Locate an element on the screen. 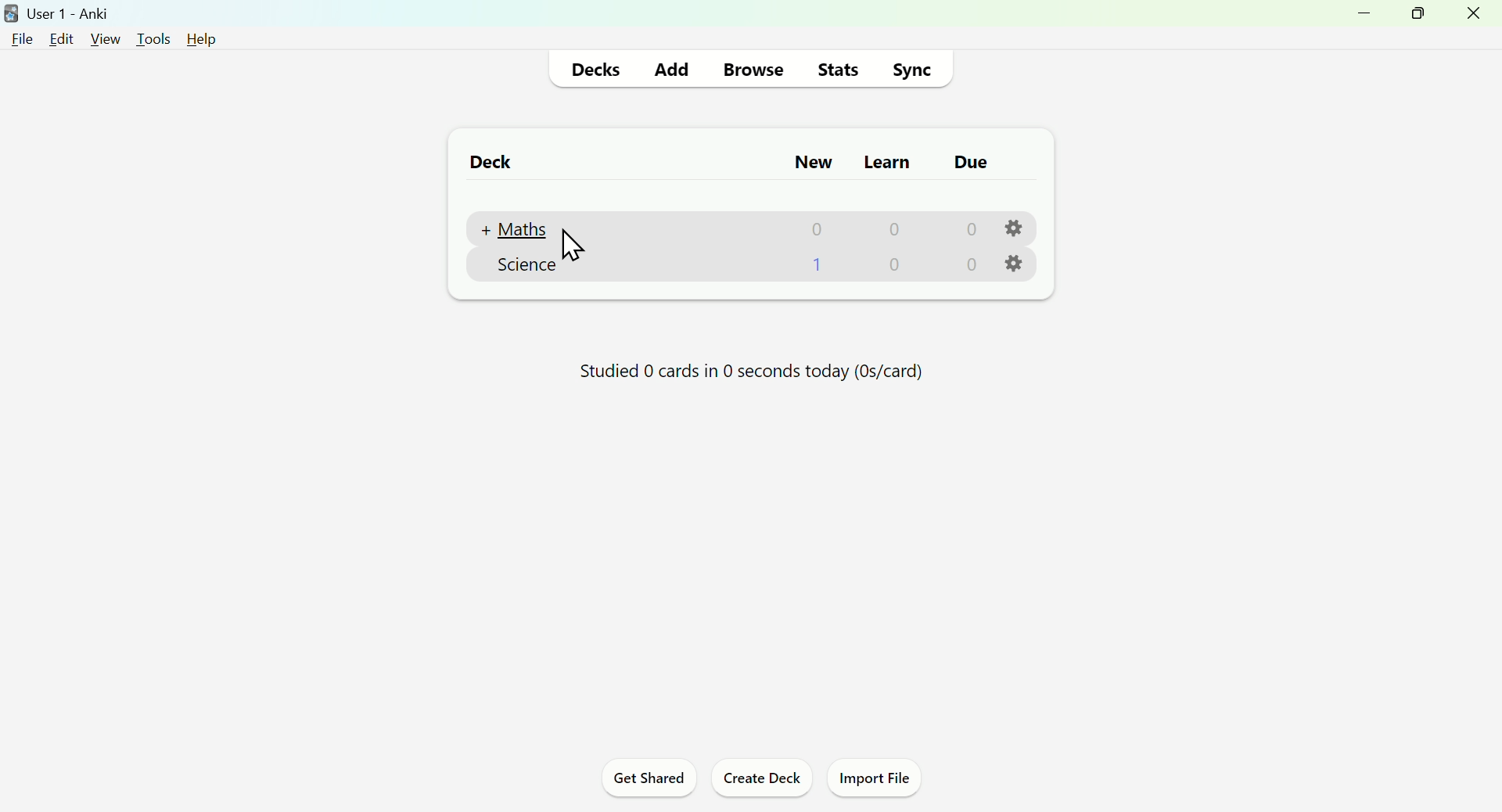  Get Shared is located at coordinates (650, 780).